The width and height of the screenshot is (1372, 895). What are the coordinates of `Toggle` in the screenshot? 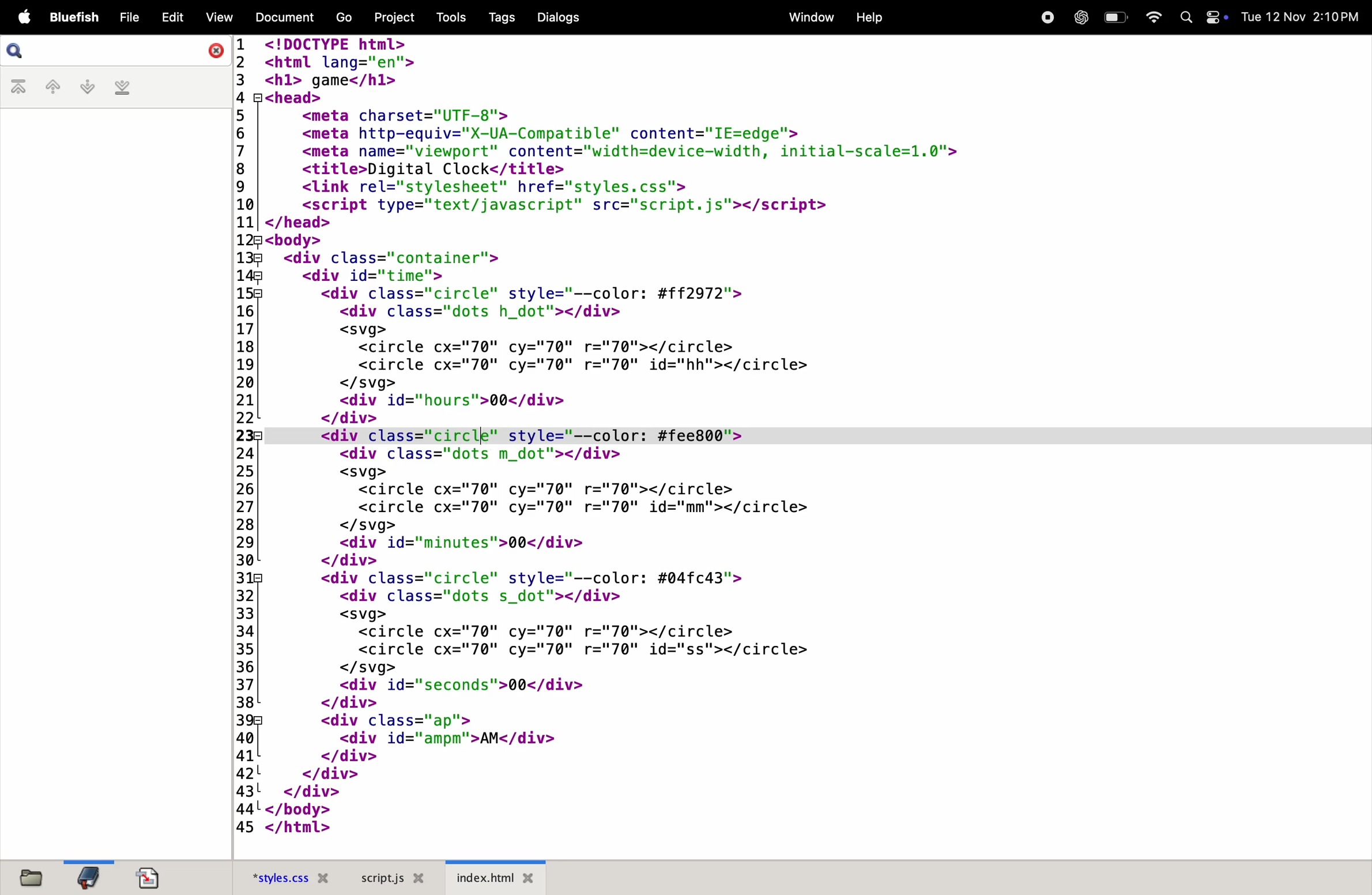 It's located at (1218, 17).